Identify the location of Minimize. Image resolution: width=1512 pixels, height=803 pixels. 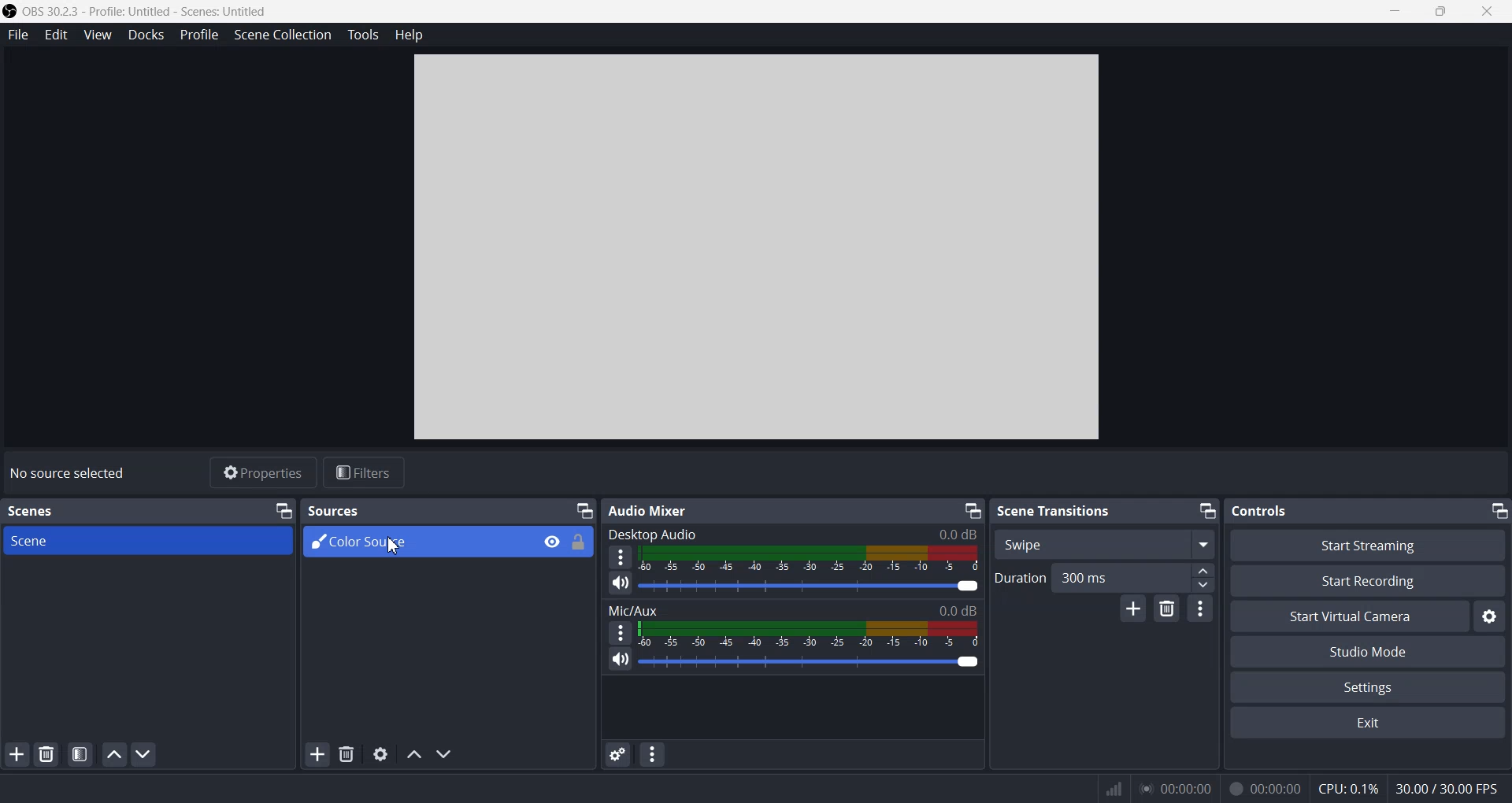
(1396, 12).